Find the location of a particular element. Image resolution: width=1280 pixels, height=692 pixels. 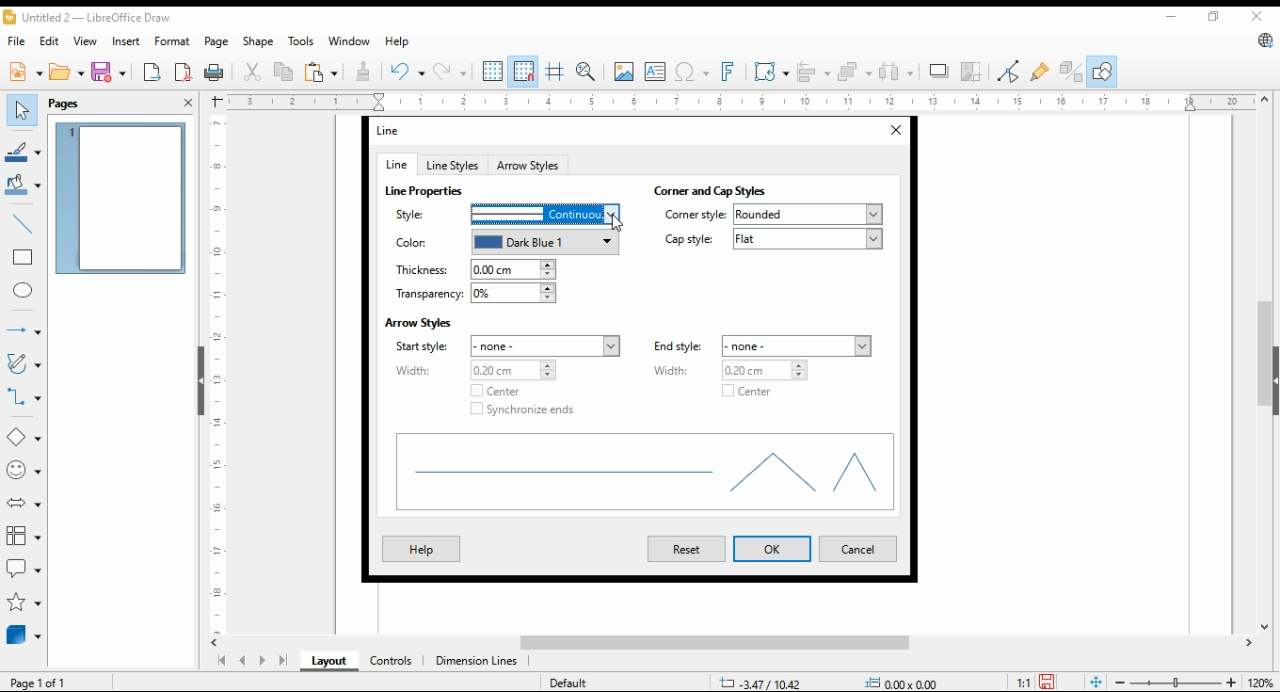

arrange is located at coordinates (852, 70).